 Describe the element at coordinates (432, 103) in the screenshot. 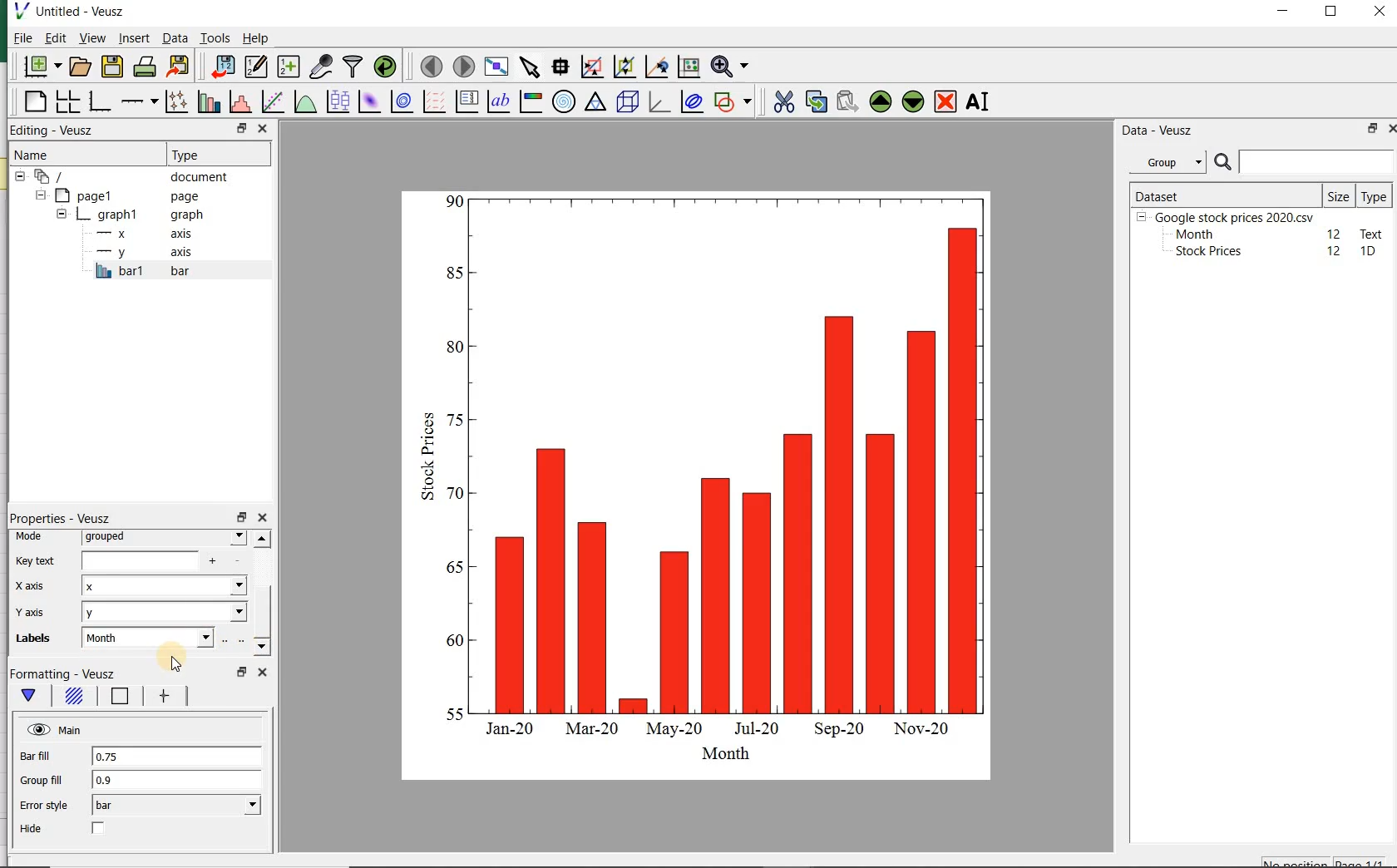

I see `plot a vector field` at that location.